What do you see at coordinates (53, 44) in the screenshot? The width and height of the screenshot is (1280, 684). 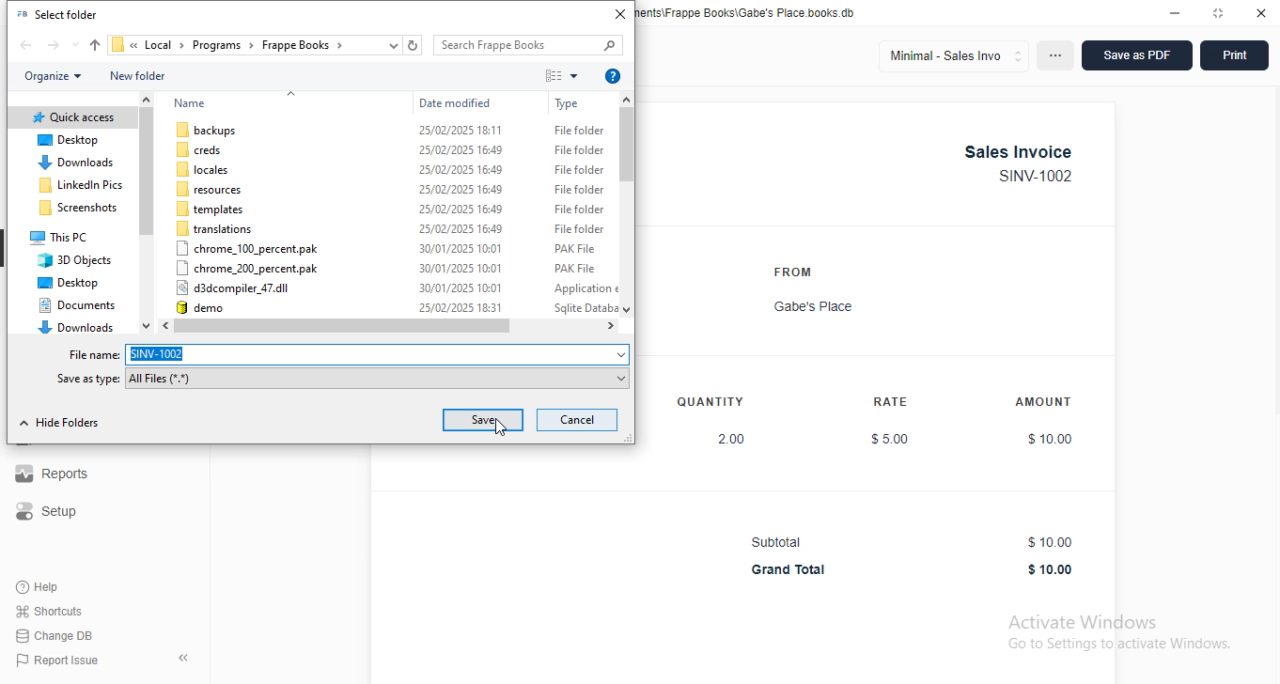 I see `forward` at bounding box center [53, 44].